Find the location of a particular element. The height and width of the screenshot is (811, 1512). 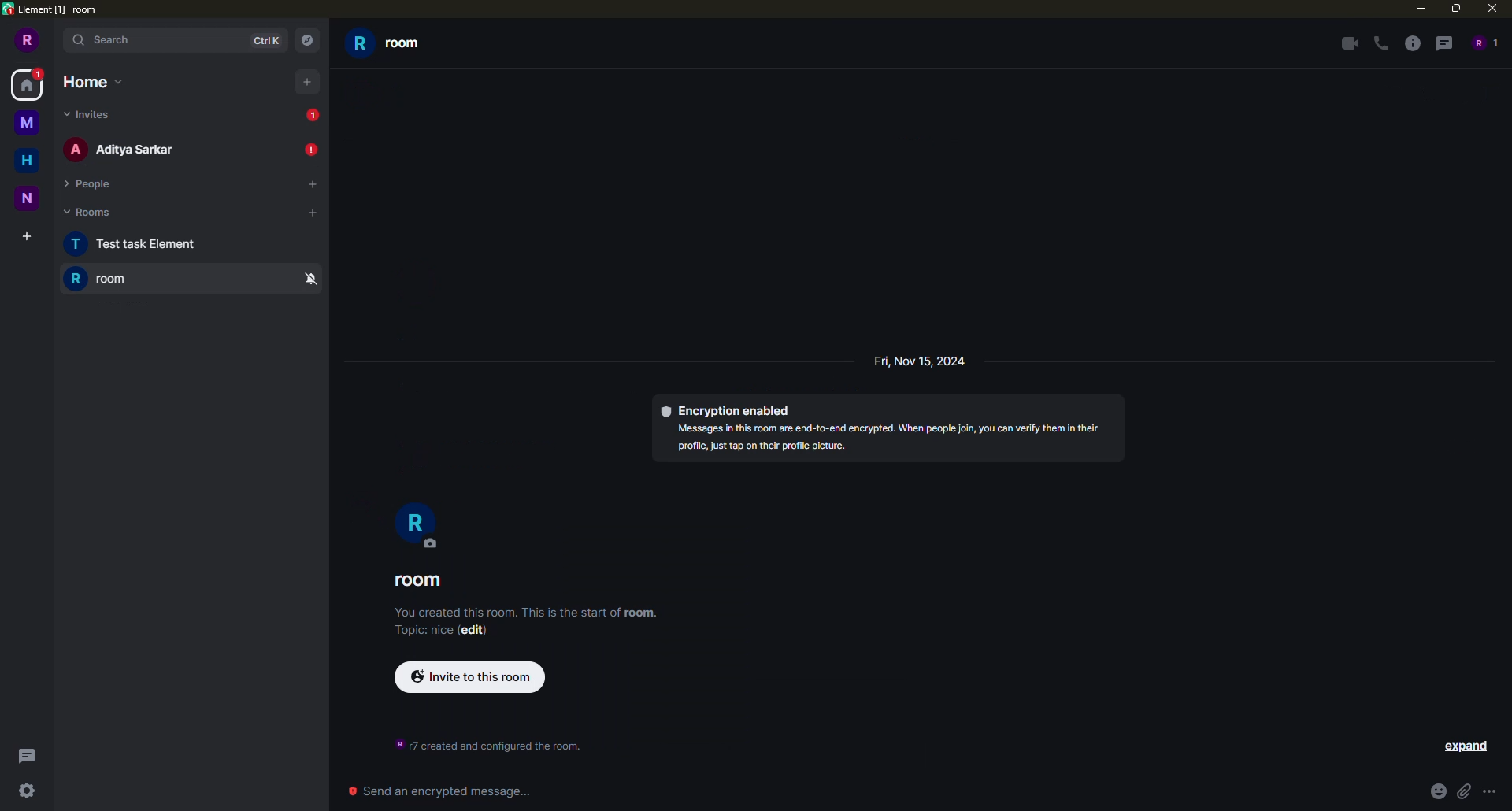

invite to room is located at coordinates (471, 676).